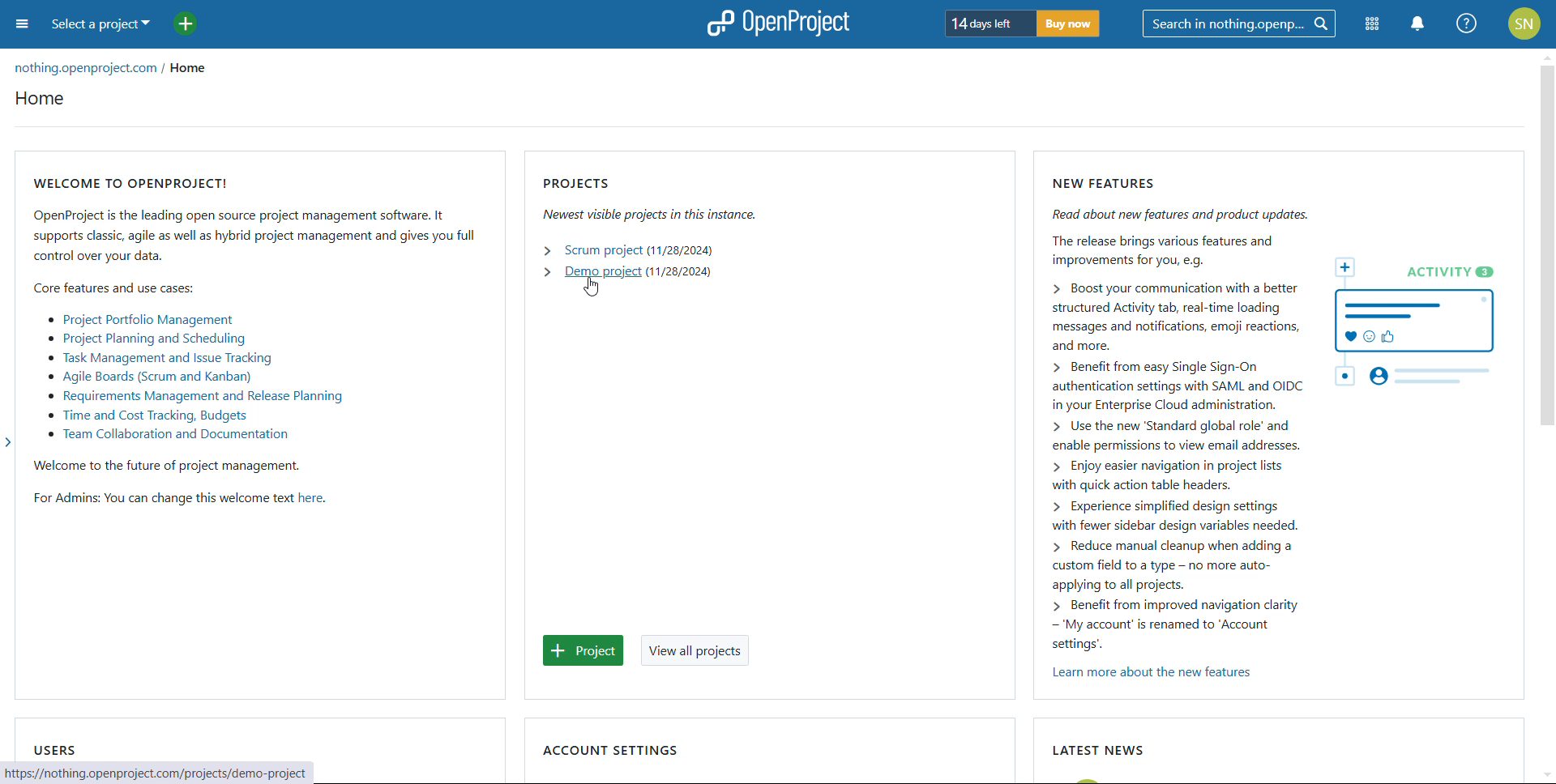 Image resolution: width=1556 pixels, height=784 pixels. What do you see at coordinates (8, 442) in the screenshot?
I see `expand sidebar menu` at bounding box center [8, 442].